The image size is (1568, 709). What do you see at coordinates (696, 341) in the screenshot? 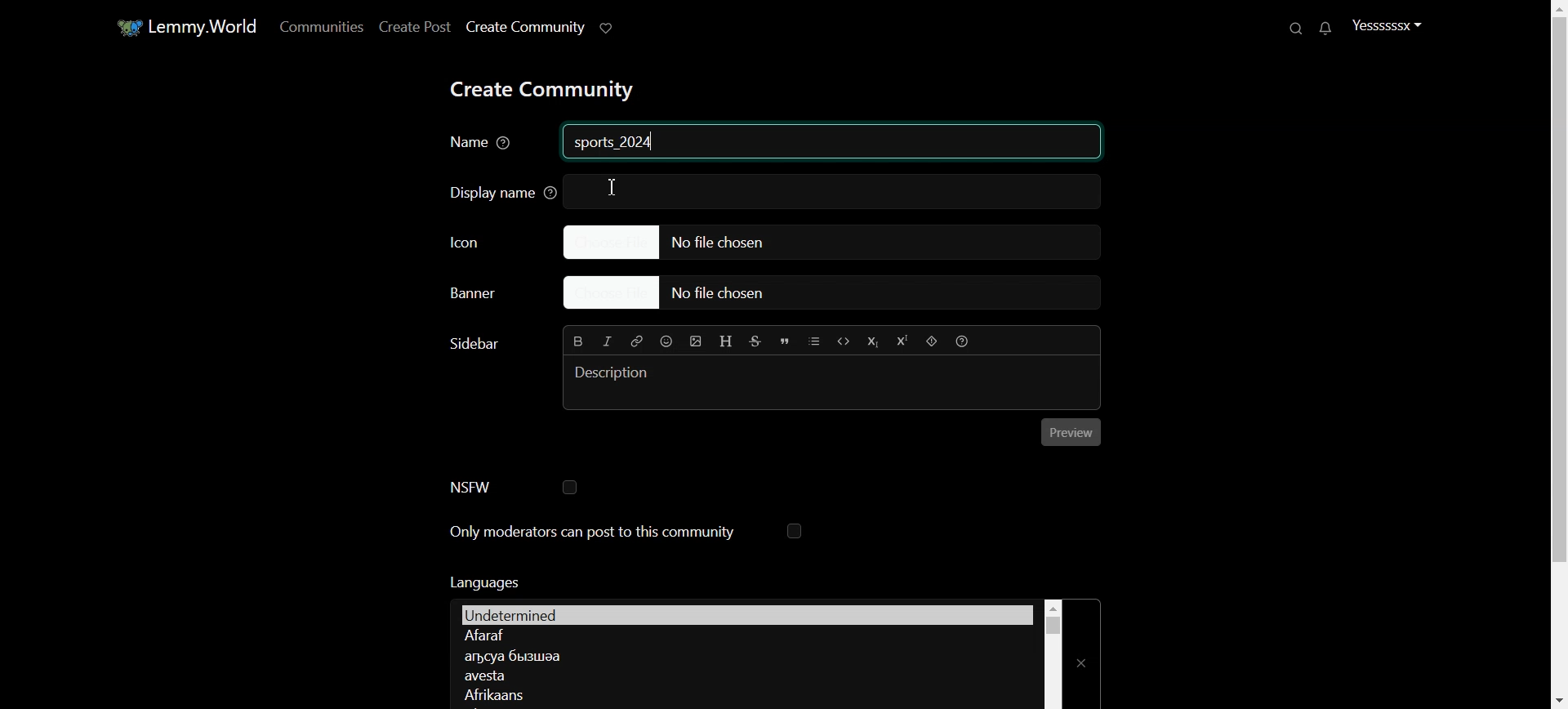
I see `Insert Picture` at bounding box center [696, 341].